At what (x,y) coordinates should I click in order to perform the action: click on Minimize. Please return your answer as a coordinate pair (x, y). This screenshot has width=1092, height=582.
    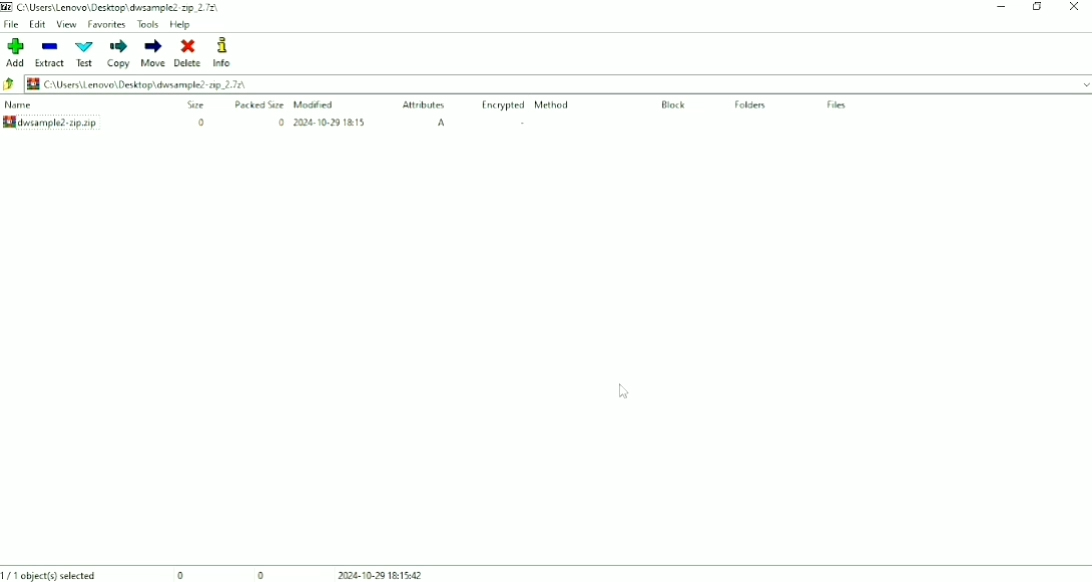
    Looking at the image, I should click on (1003, 6).